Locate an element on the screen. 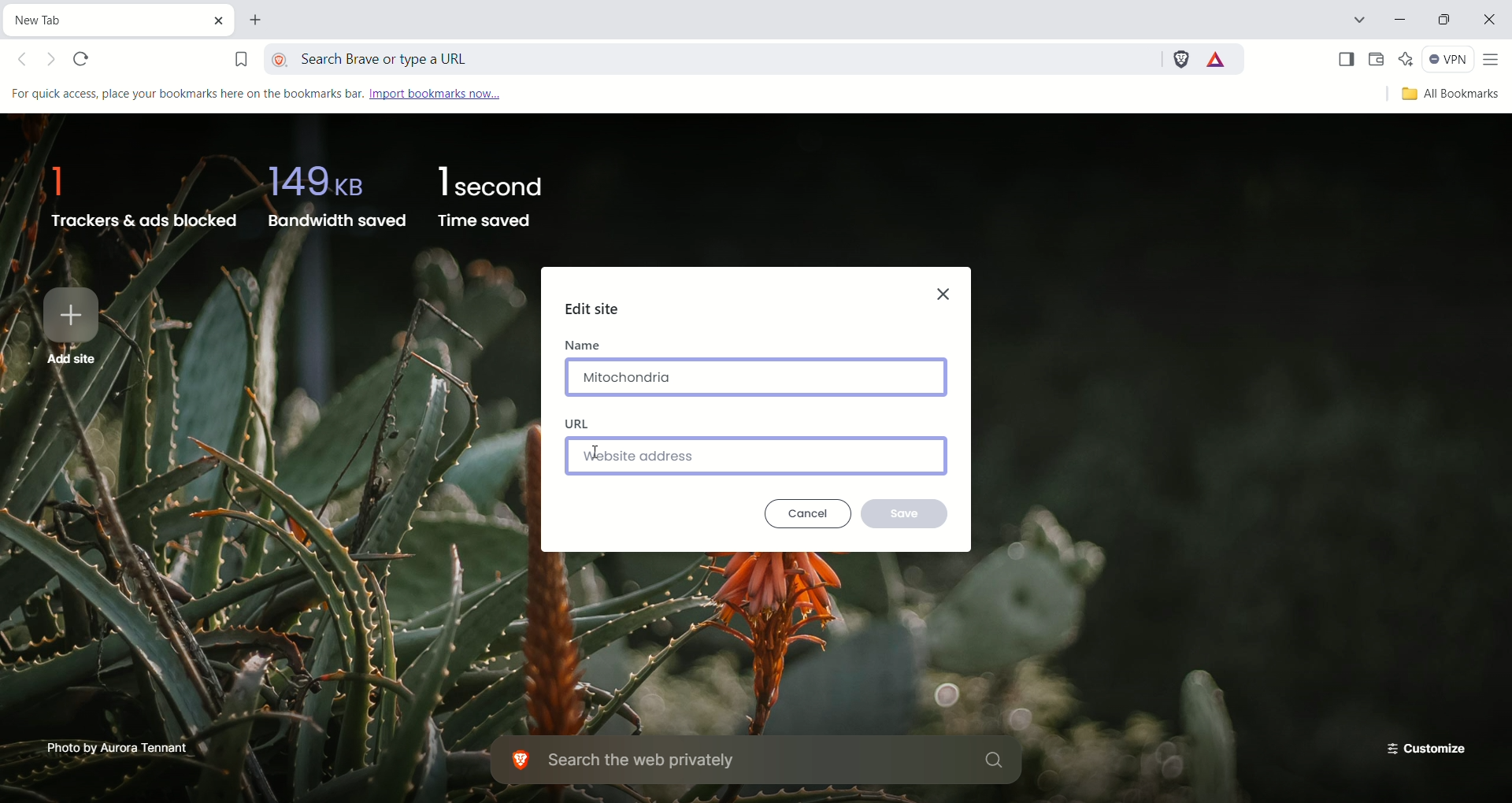 This screenshot has width=1512, height=803. trackers & ads blocked is located at coordinates (138, 191).